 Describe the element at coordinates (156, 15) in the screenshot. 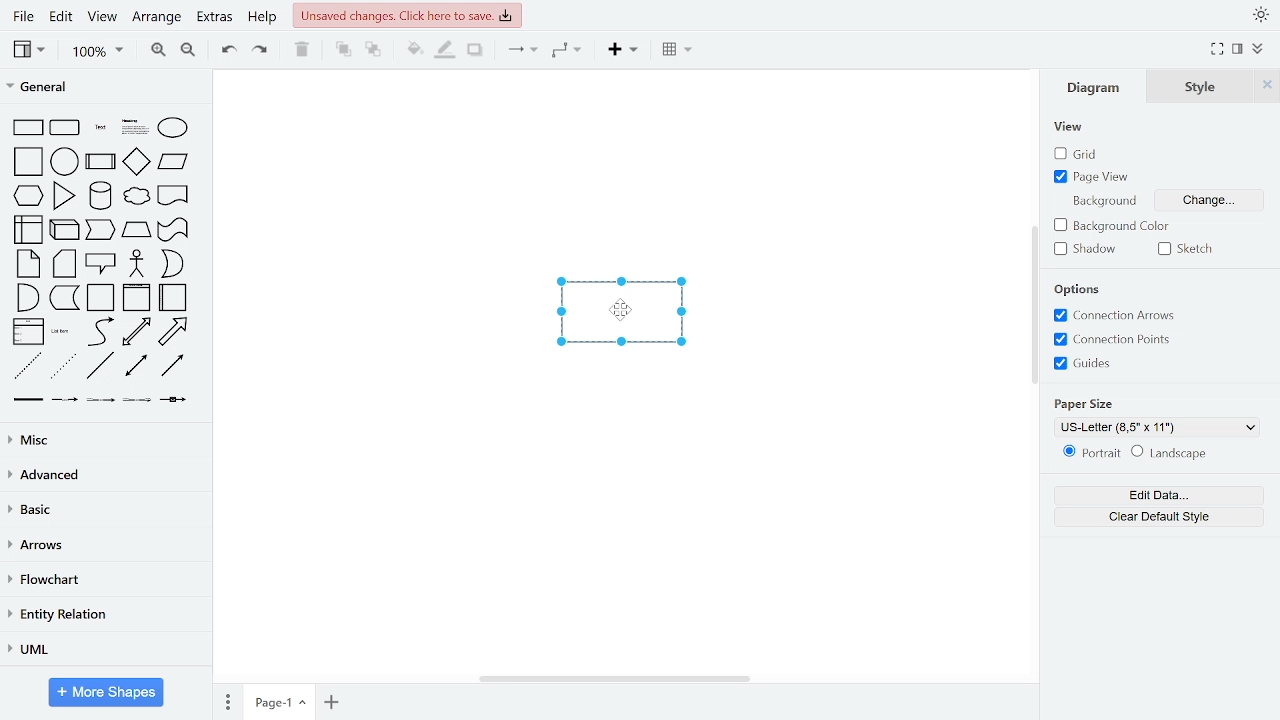

I see `arrange` at that location.